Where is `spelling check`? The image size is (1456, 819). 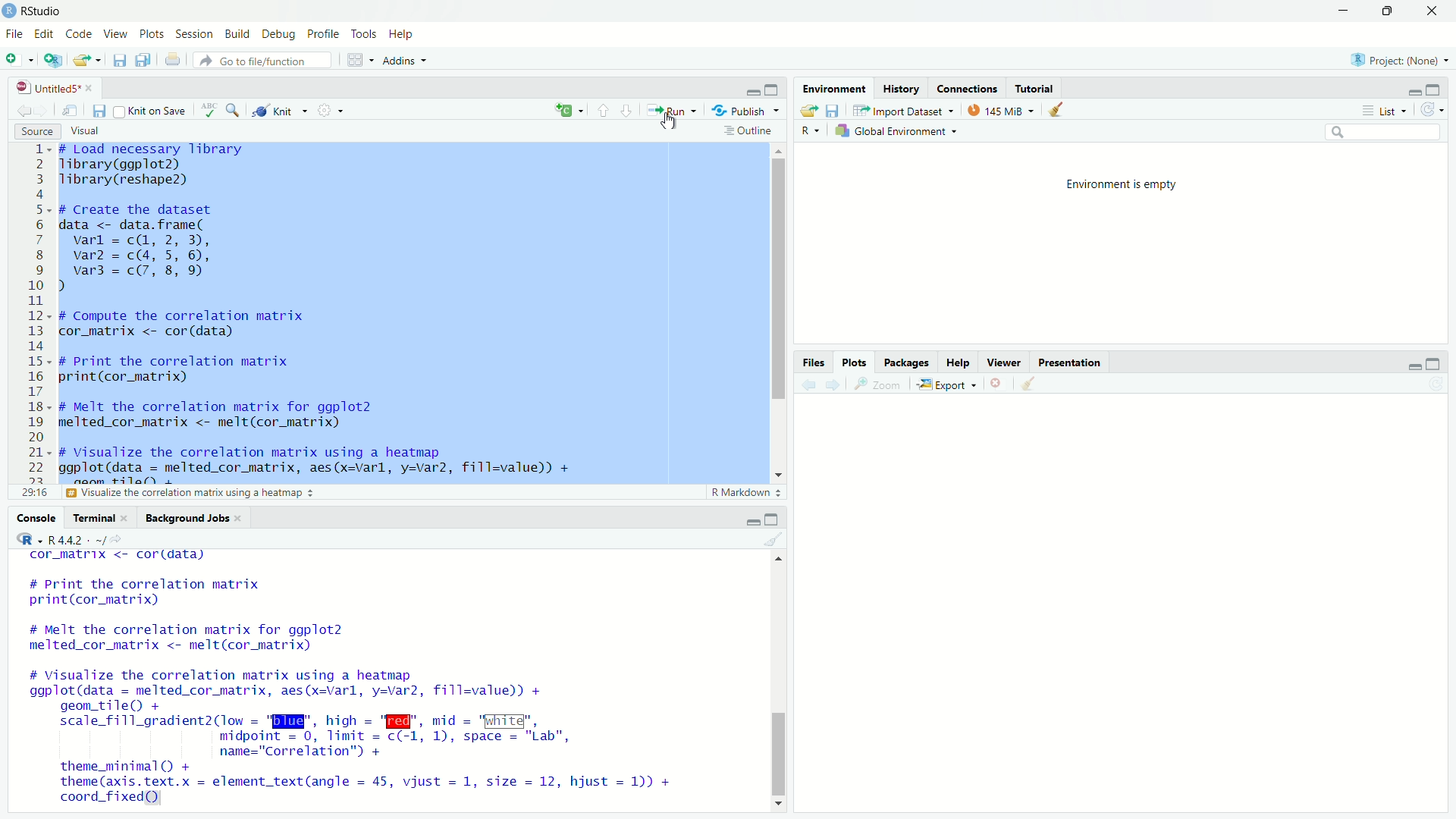 spelling check is located at coordinates (208, 110).